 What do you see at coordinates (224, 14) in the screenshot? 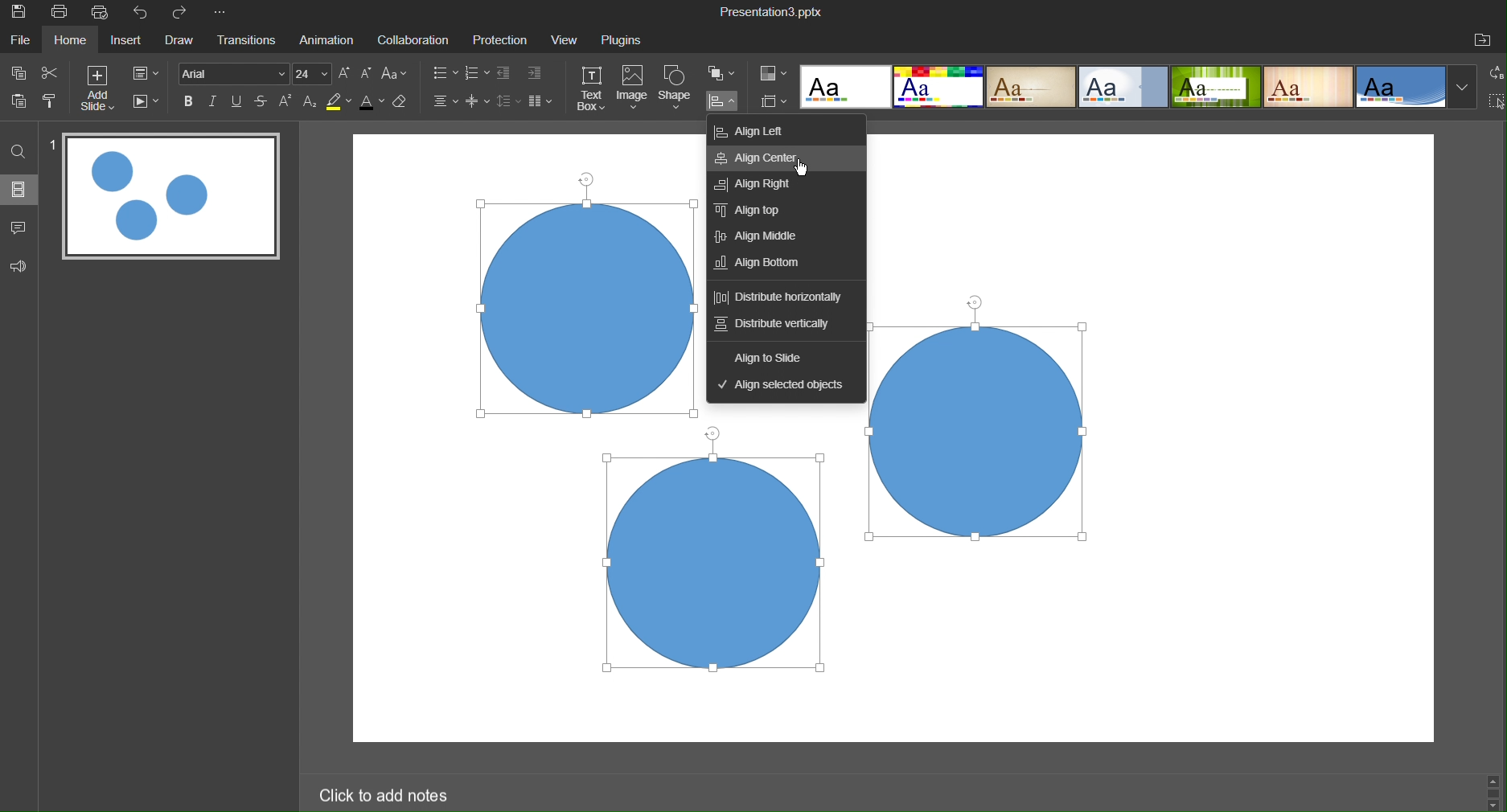
I see `More` at bounding box center [224, 14].